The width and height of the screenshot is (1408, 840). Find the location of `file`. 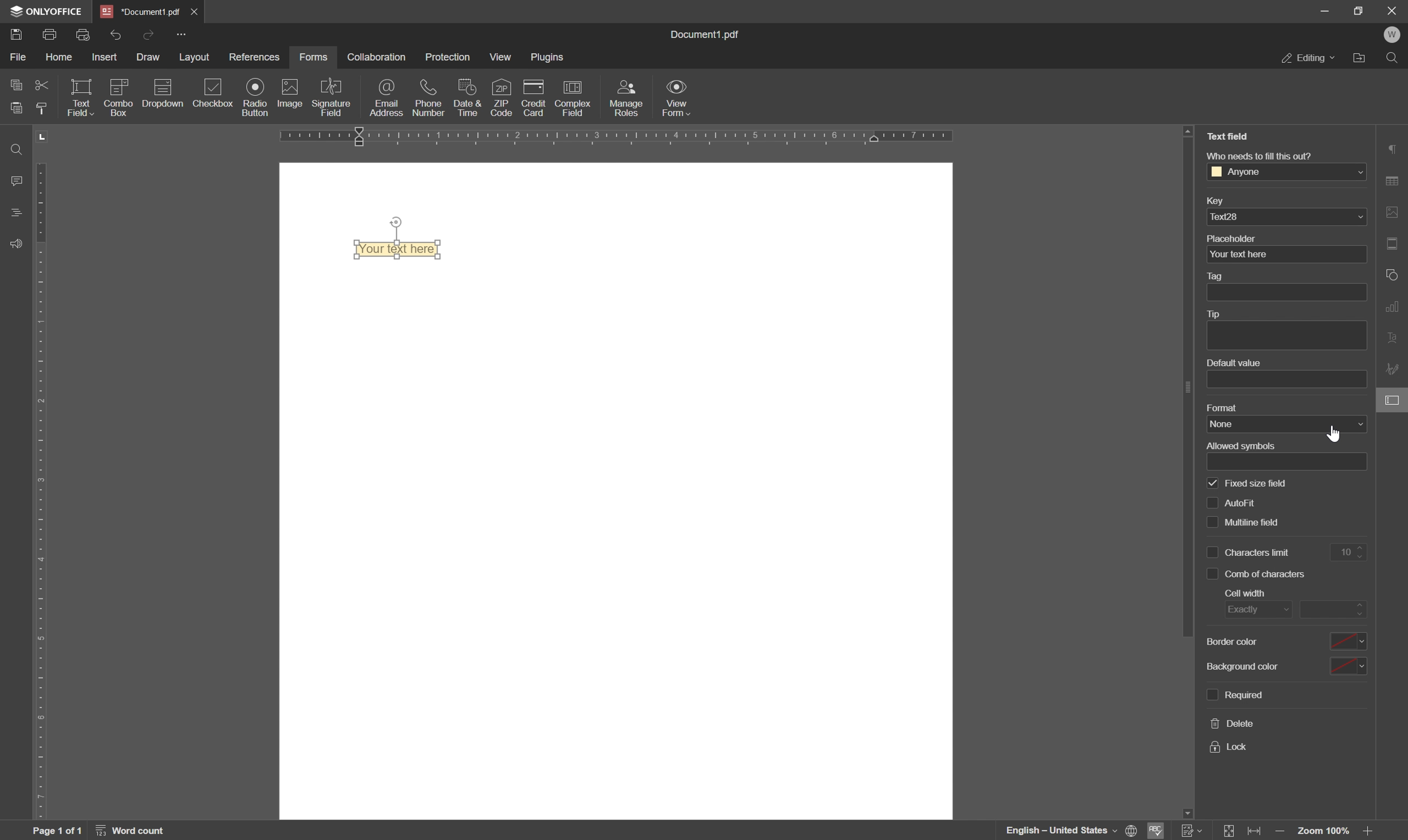

file is located at coordinates (19, 60).